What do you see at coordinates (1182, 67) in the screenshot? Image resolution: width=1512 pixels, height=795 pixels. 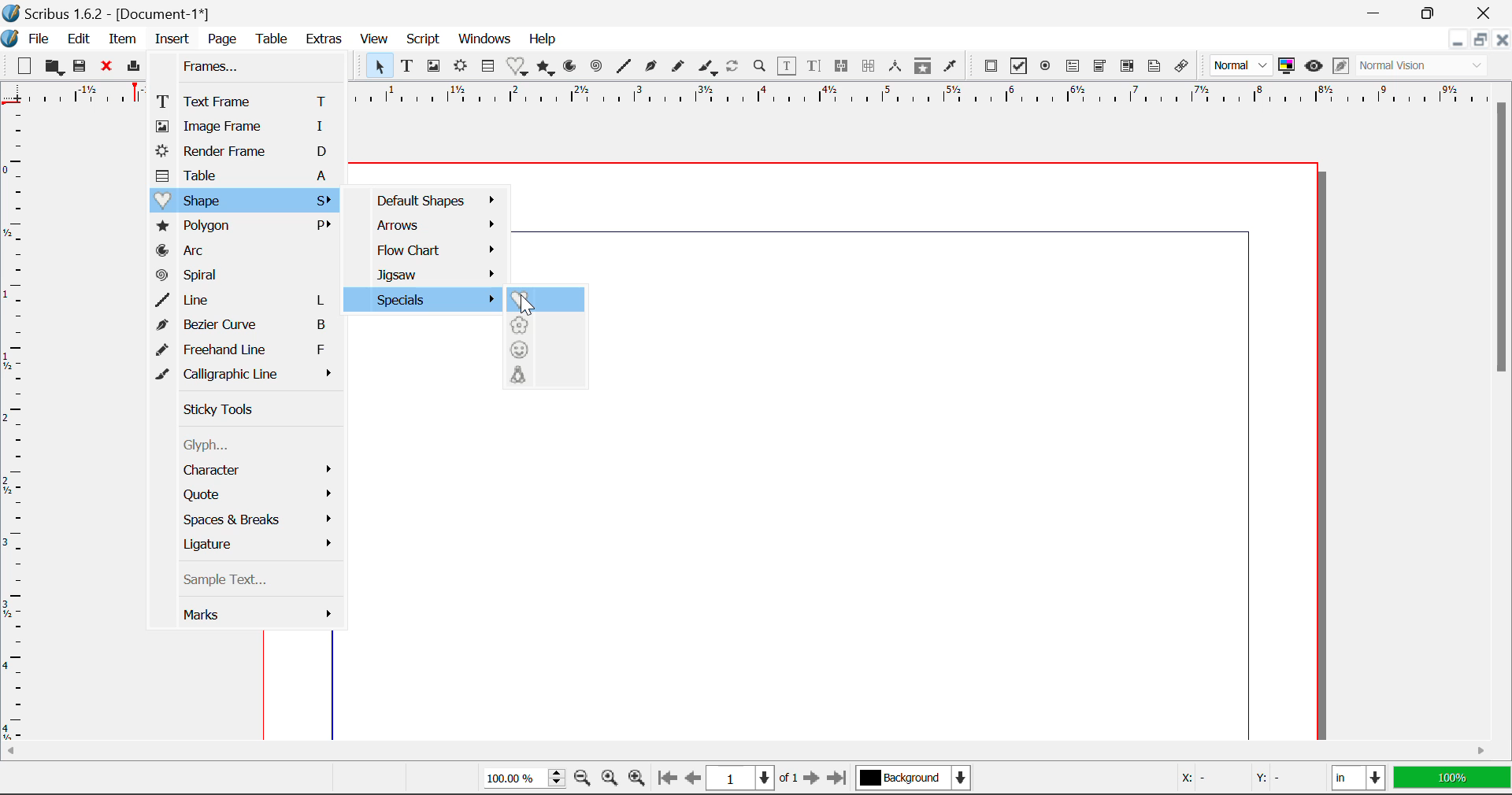 I see `Link Annotation` at bounding box center [1182, 67].